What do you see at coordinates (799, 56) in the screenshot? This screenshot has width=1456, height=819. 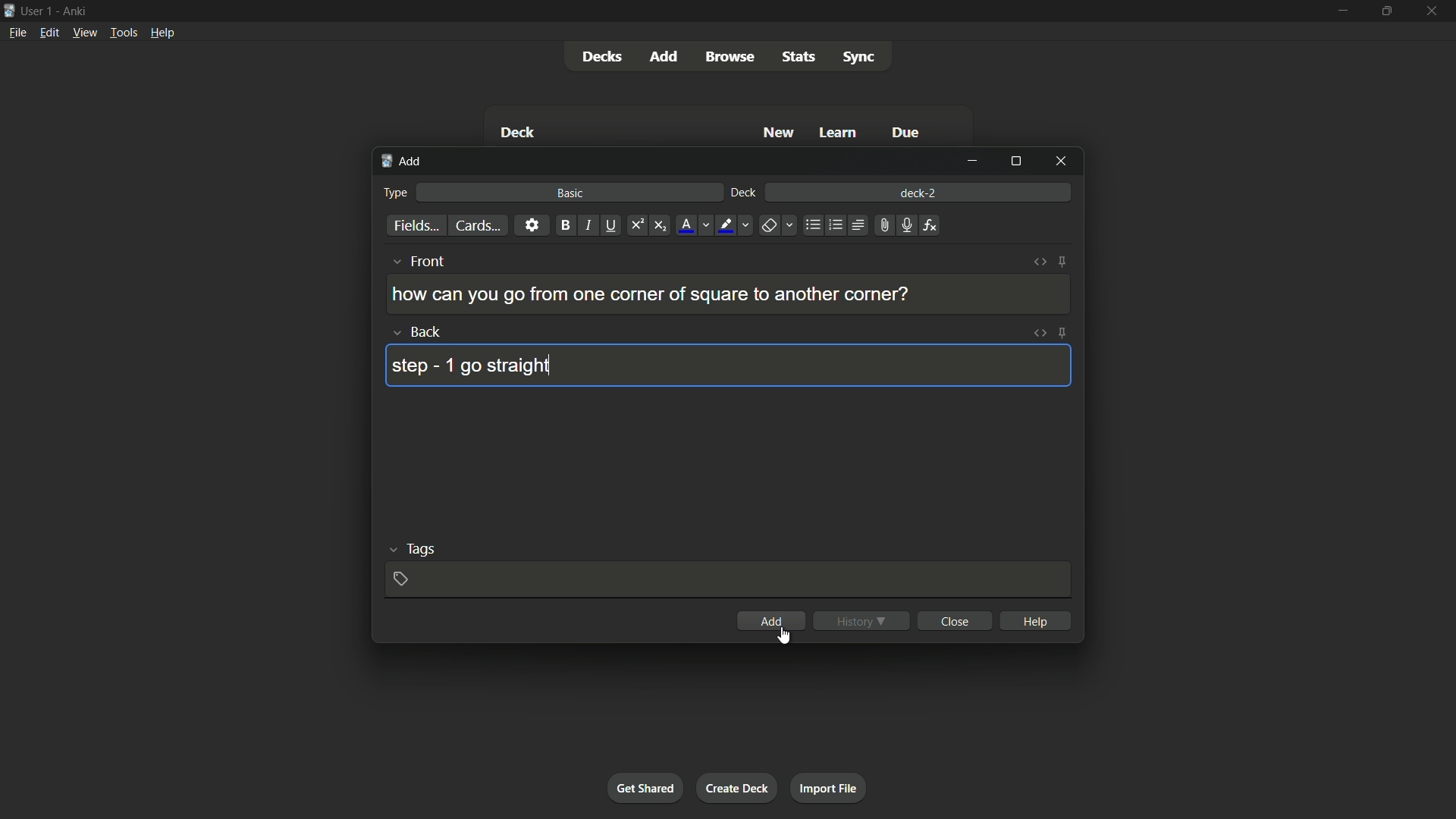 I see `stats` at bounding box center [799, 56].